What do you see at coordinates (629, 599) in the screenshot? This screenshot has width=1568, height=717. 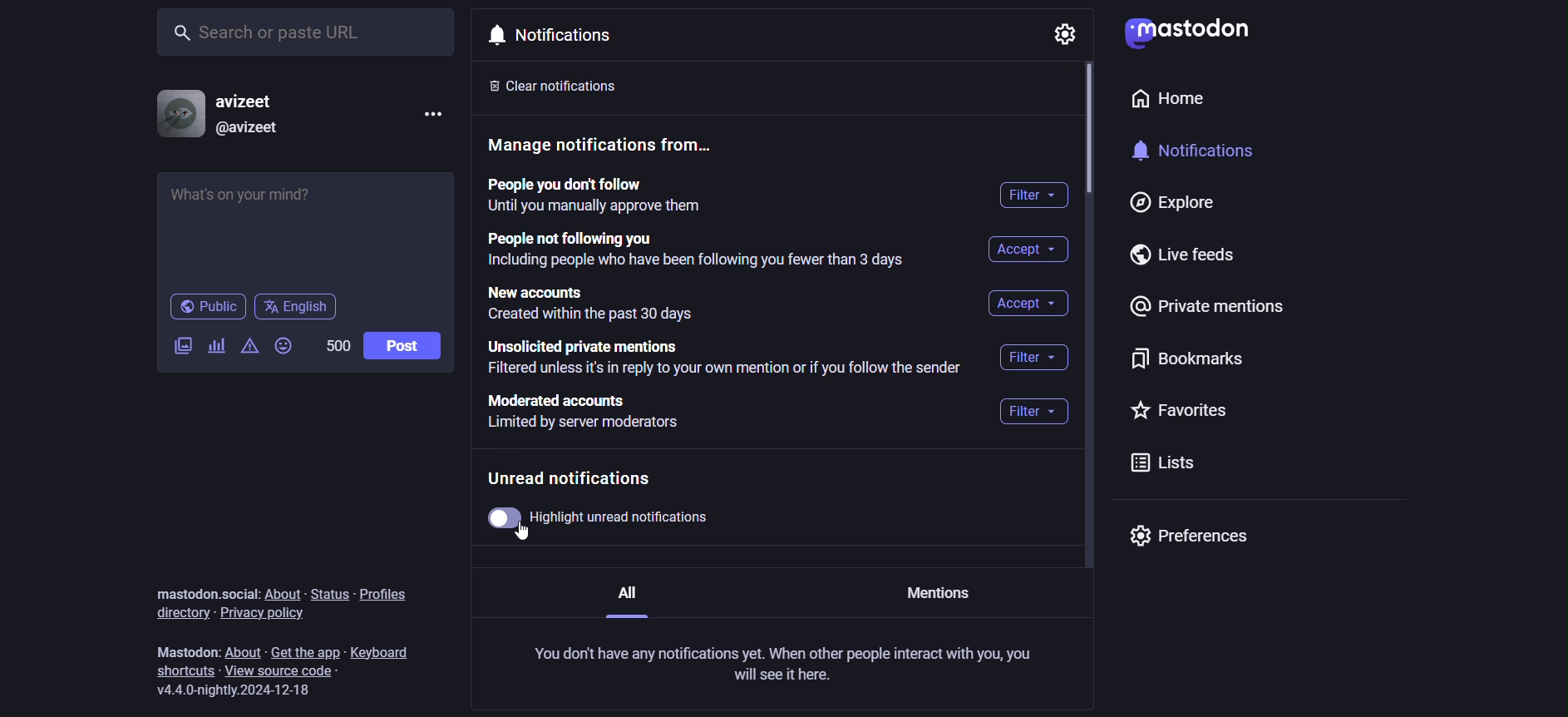 I see `All` at bounding box center [629, 599].